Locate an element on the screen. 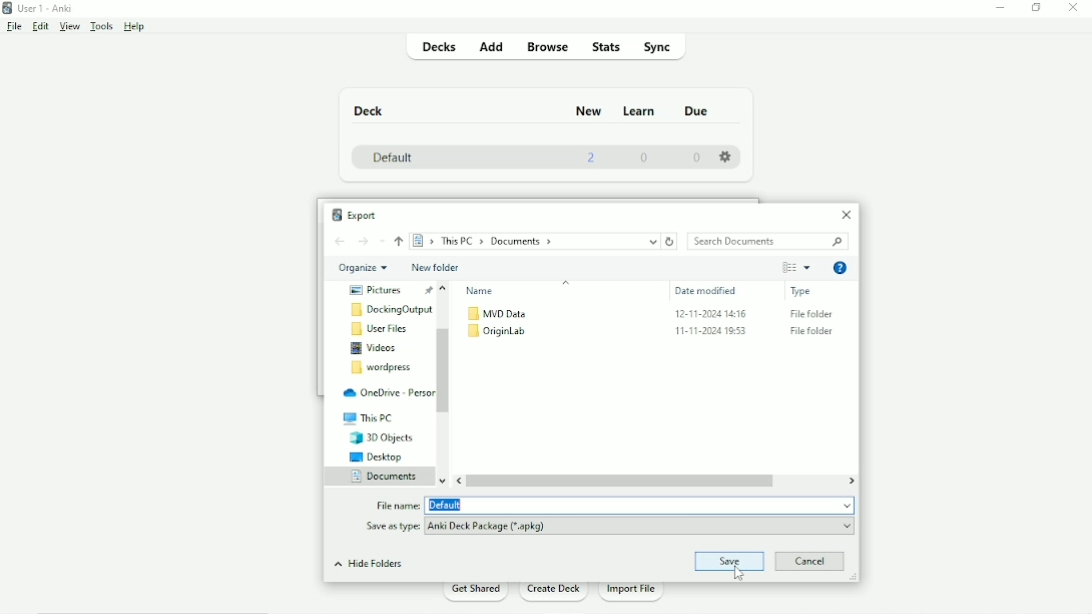  Vertical scrollbar is located at coordinates (444, 369).